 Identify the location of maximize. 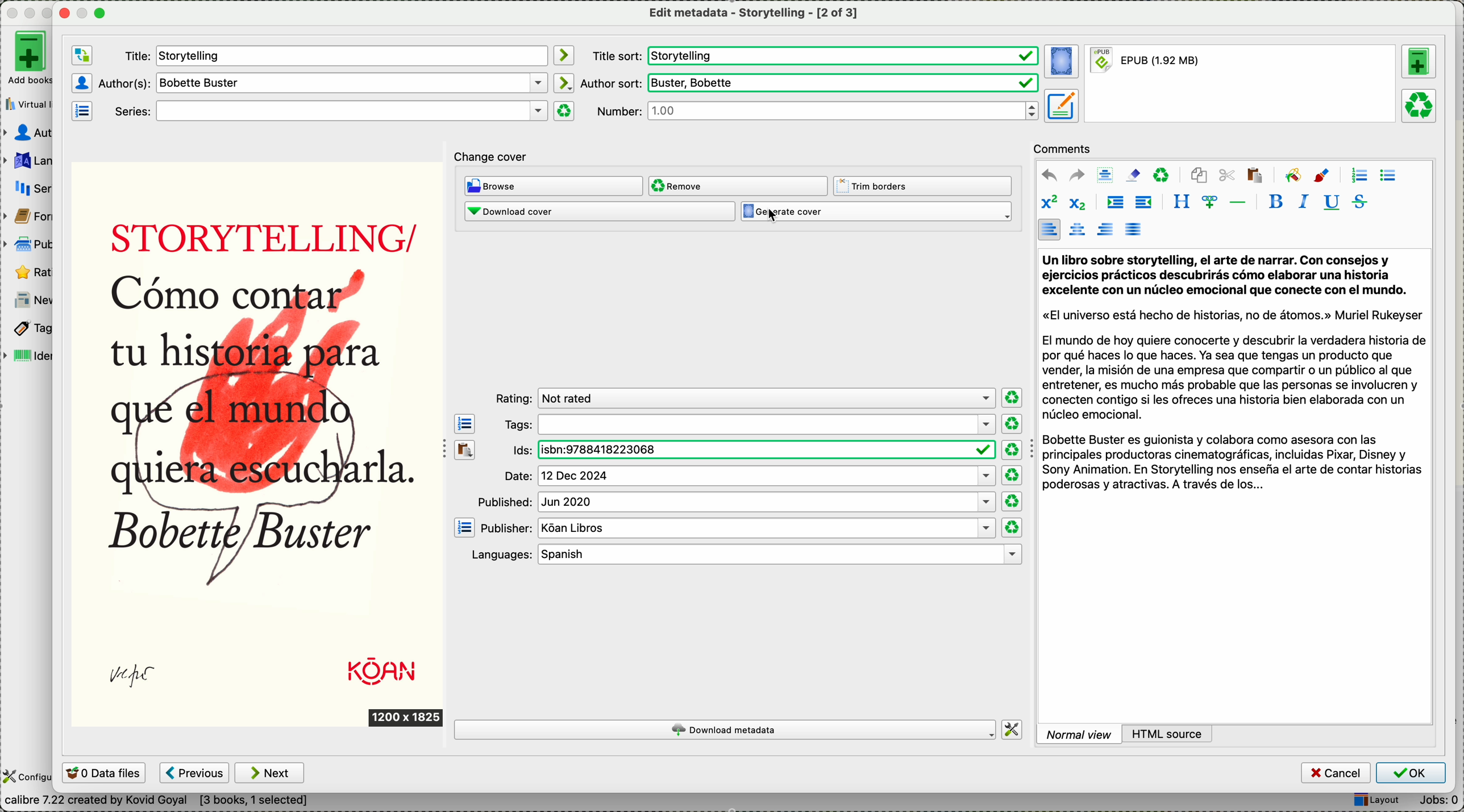
(101, 14).